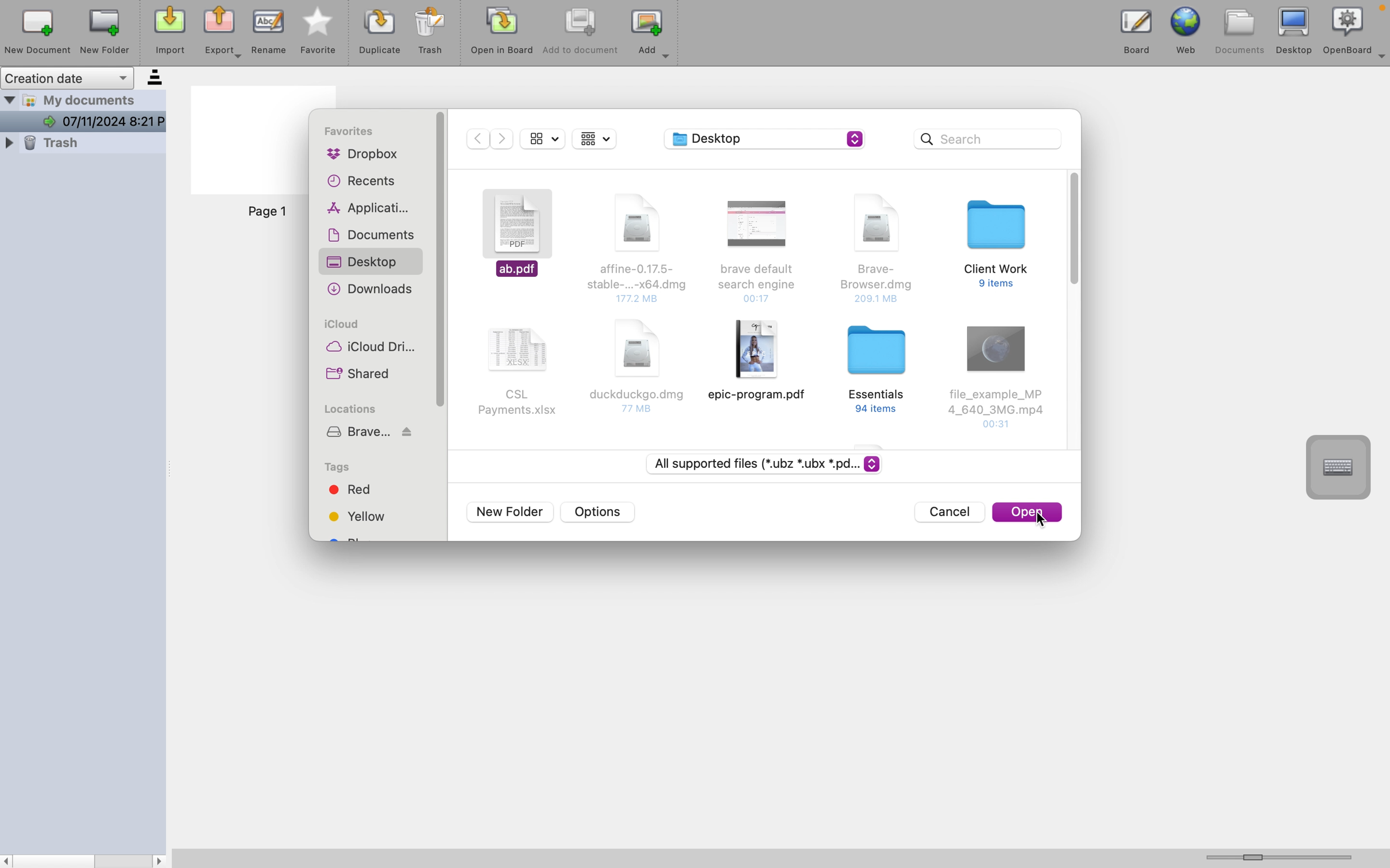 This screenshot has width=1390, height=868. What do you see at coordinates (362, 491) in the screenshot?
I see `red` at bounding box center [362, 491].